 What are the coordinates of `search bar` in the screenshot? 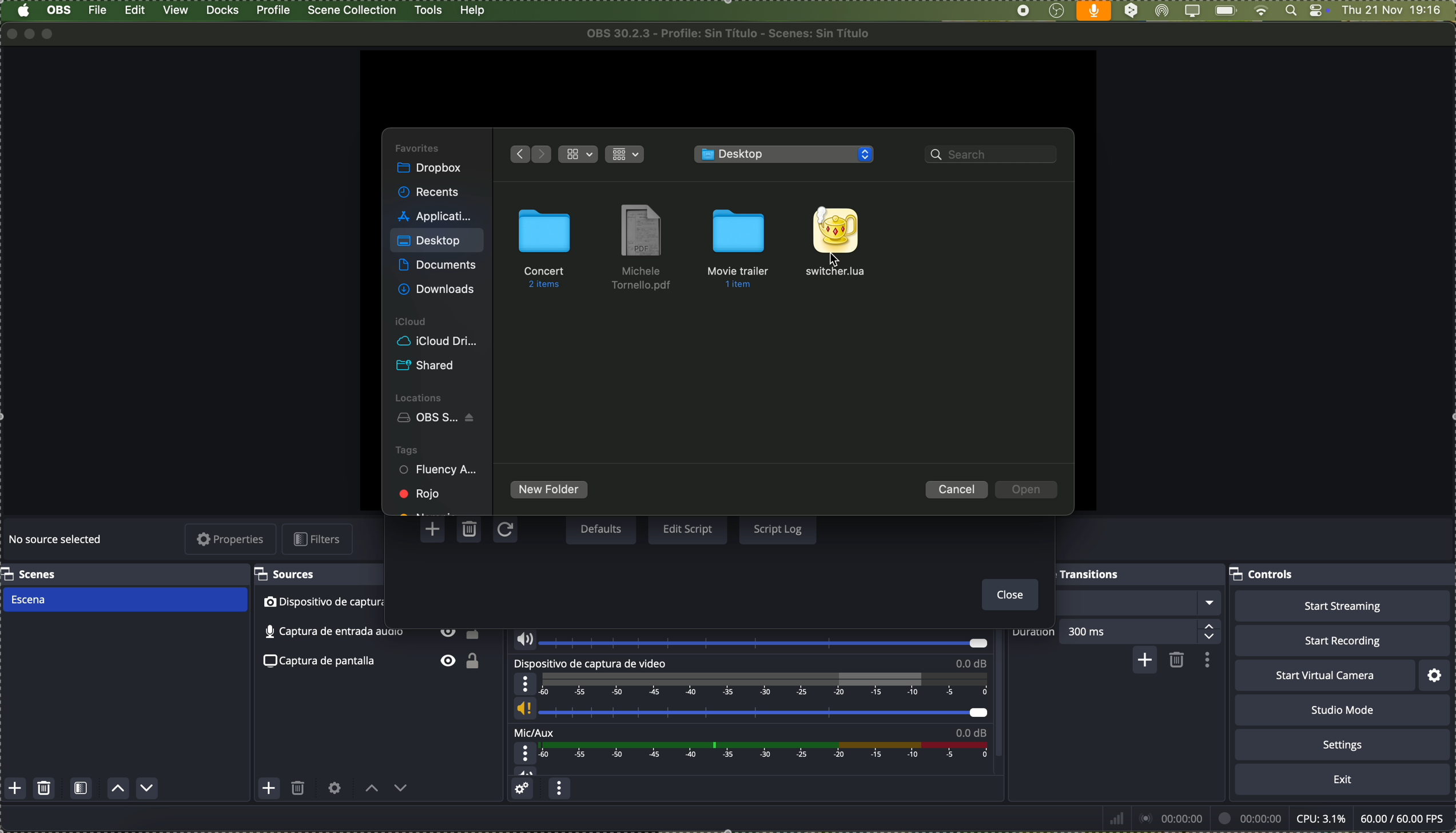 It's located at (994, 156).